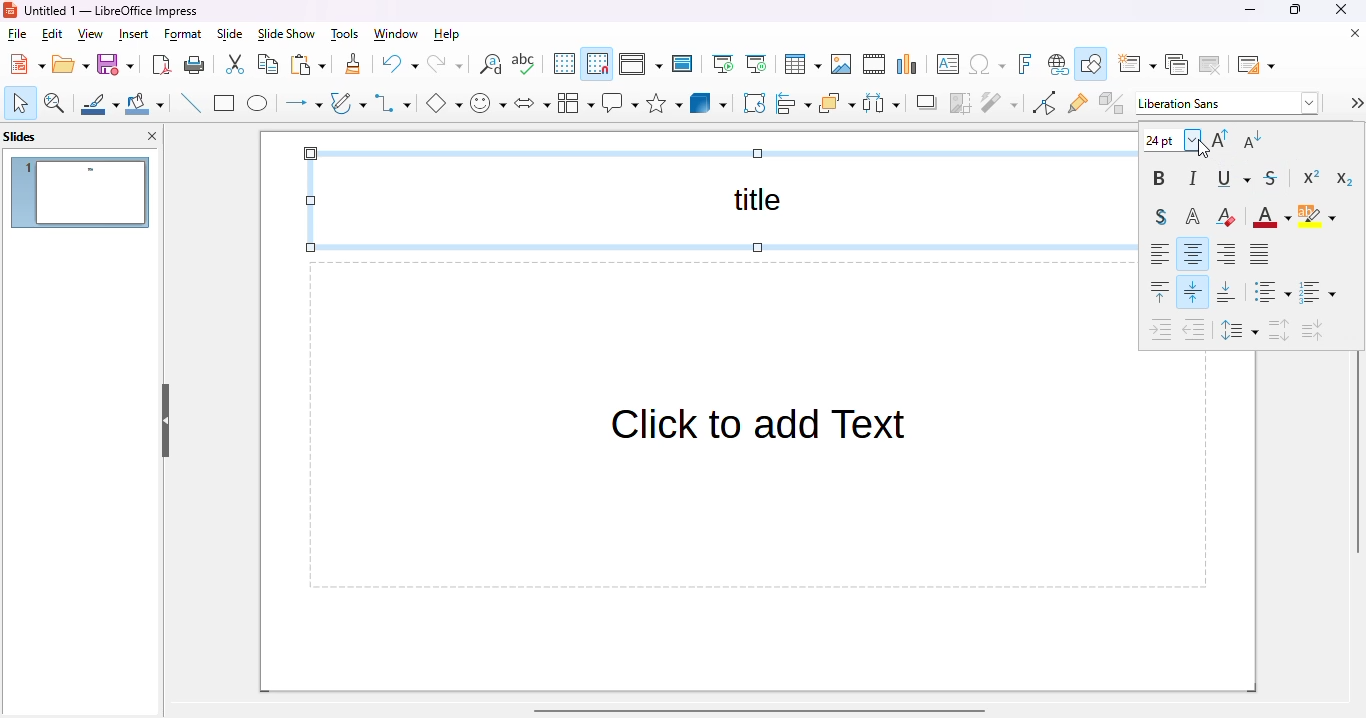  I want to click on minimize, so click(1252, 10).